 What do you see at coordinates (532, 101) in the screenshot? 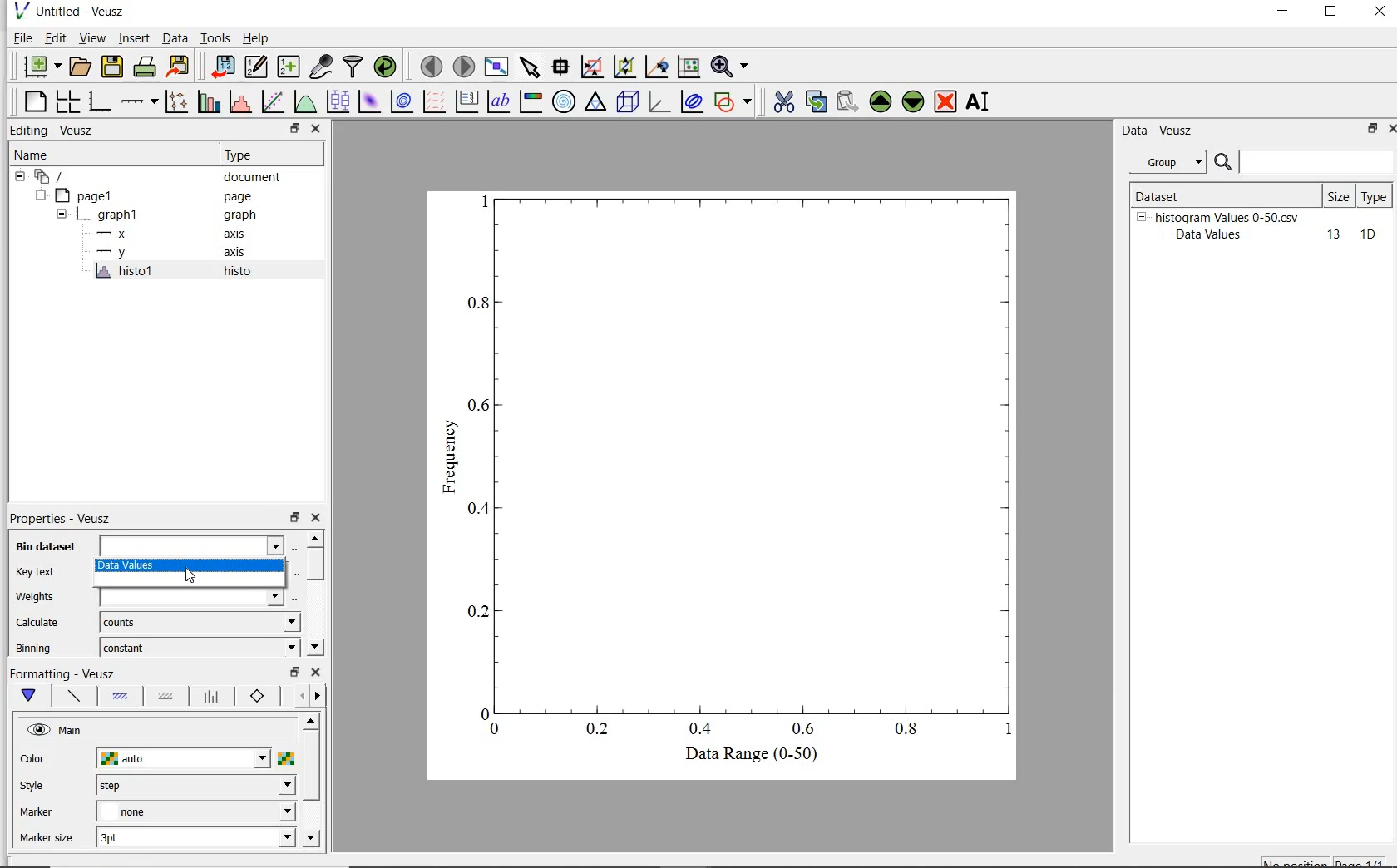
I see `image color bar` at bounding box center [532, 101].